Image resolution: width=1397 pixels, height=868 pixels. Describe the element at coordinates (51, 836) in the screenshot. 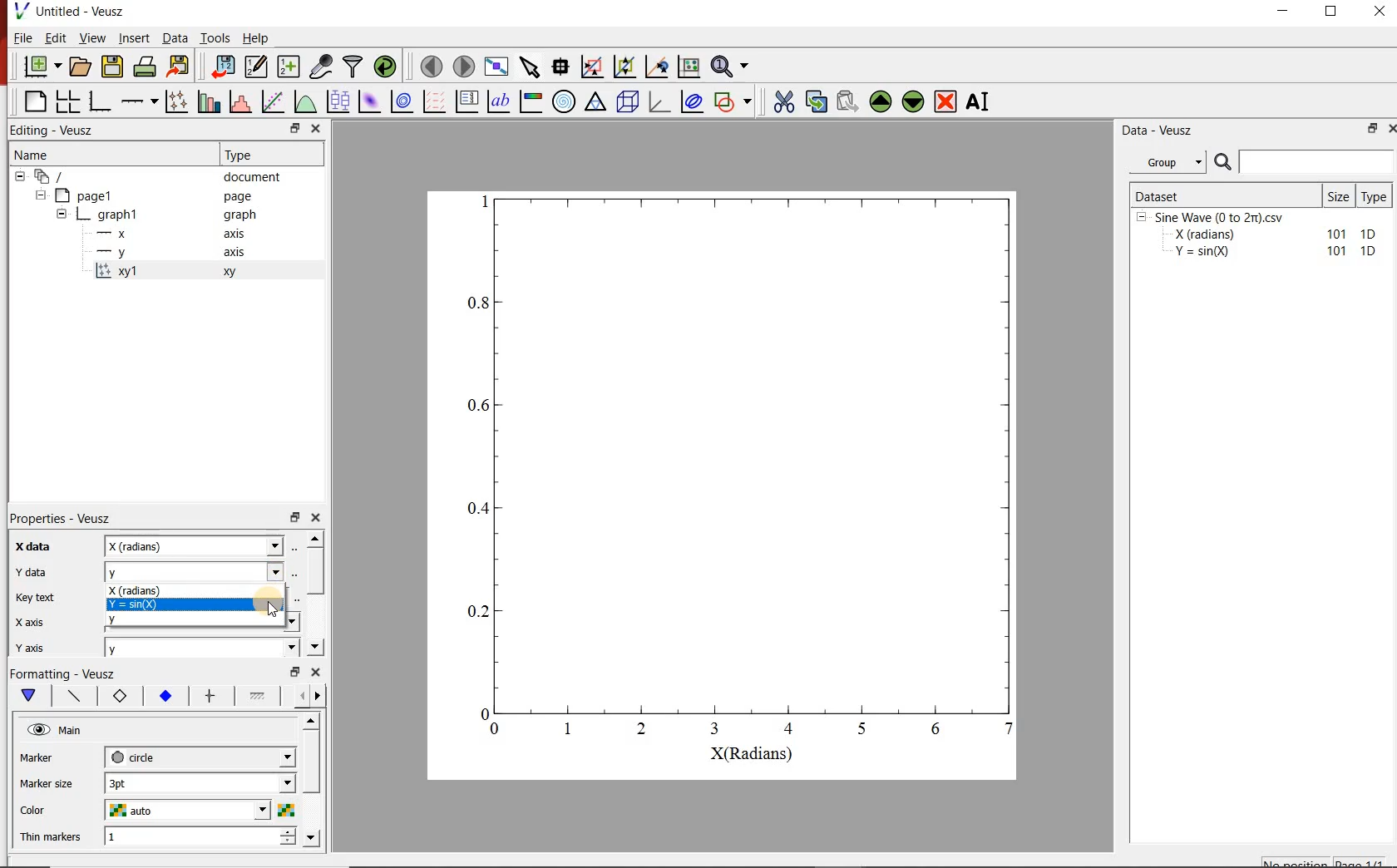

I see `Thin markers` at that location.